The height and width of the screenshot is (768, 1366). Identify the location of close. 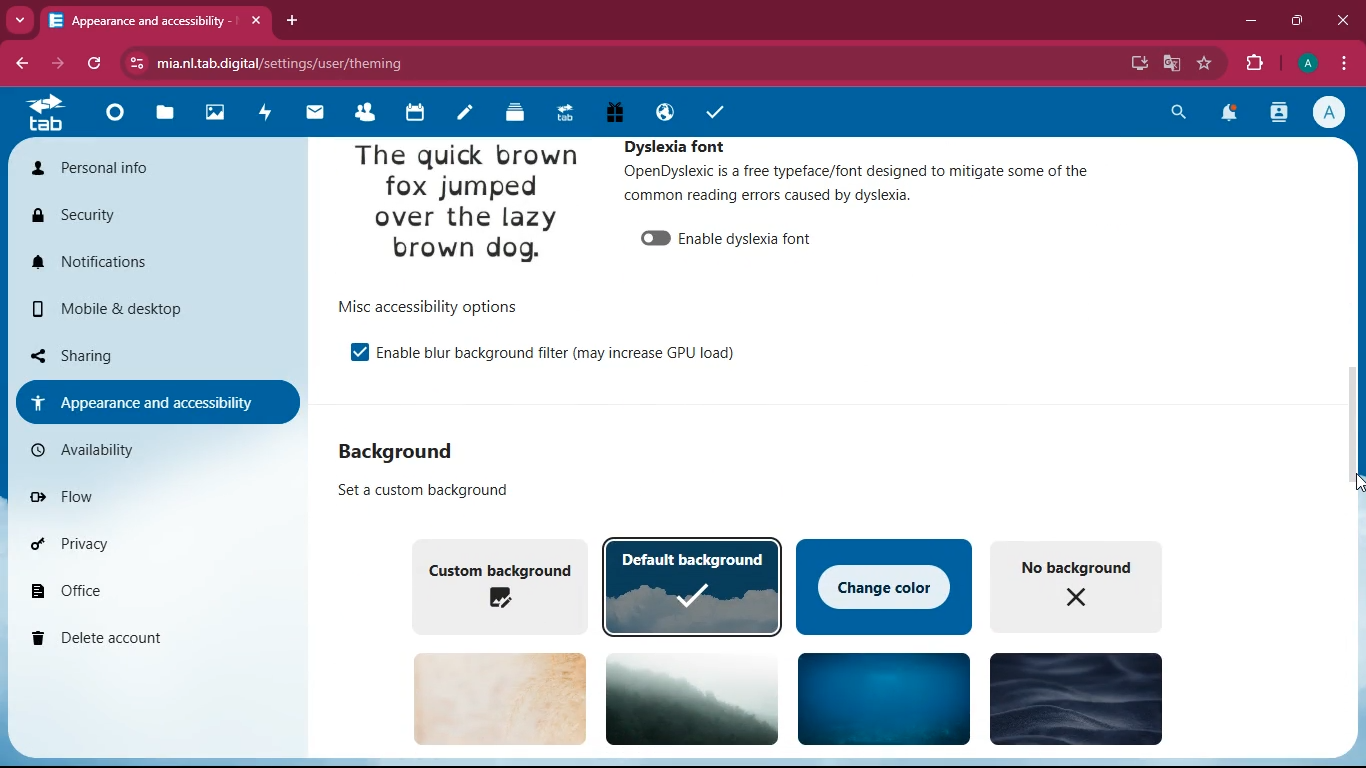
(1344, 21).